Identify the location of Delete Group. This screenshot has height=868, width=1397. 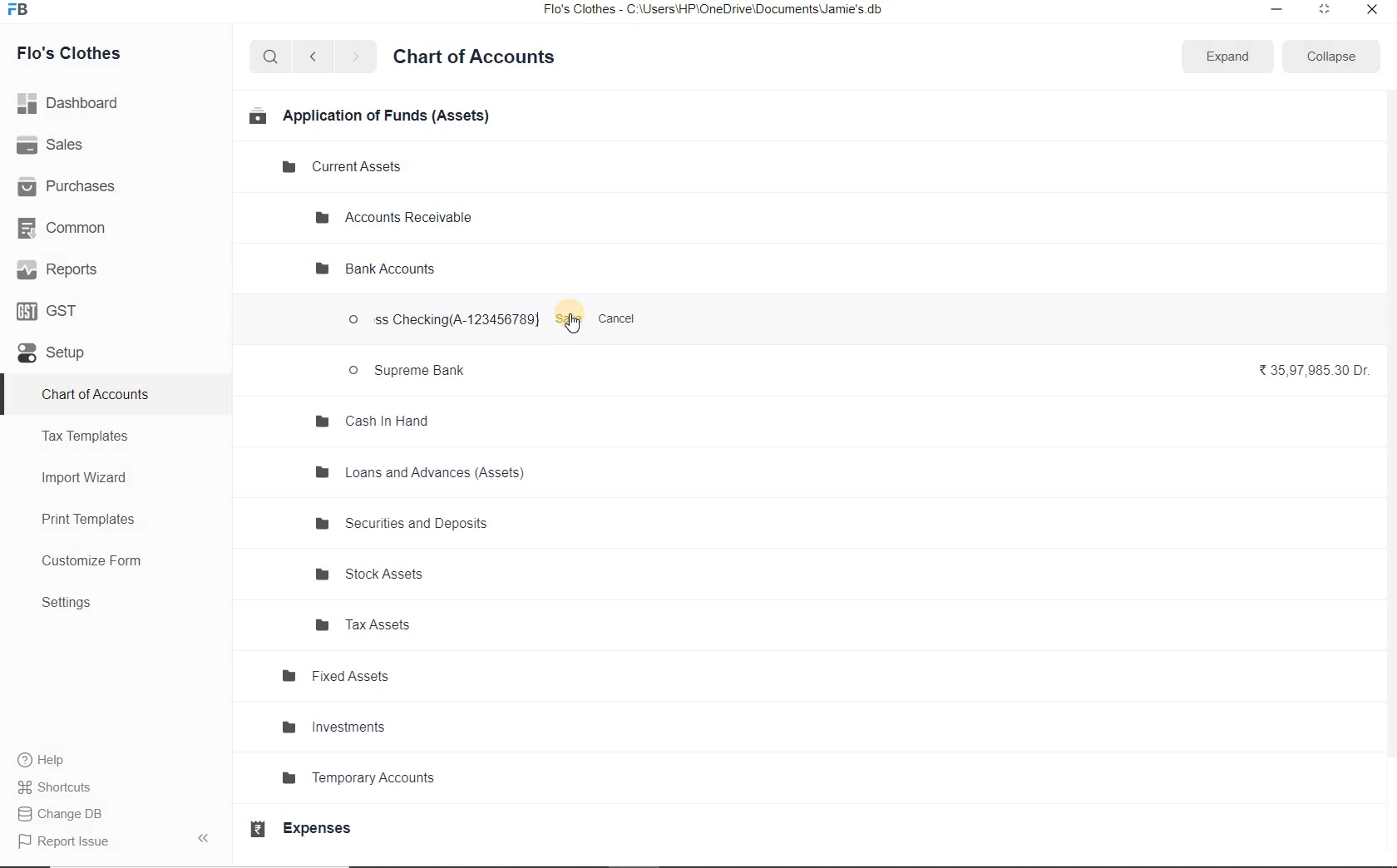
(639, 269).